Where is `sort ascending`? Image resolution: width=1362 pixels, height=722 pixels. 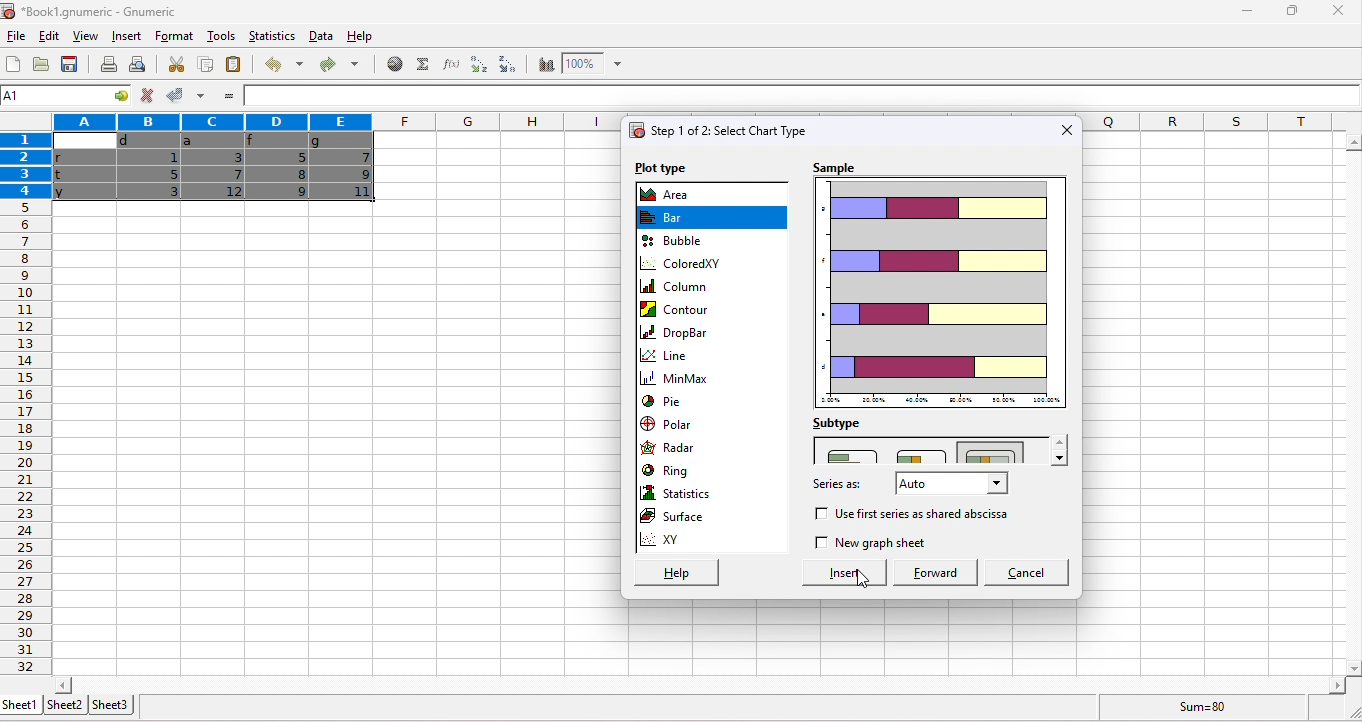
sort ascending is located at coordinates (477, 64).